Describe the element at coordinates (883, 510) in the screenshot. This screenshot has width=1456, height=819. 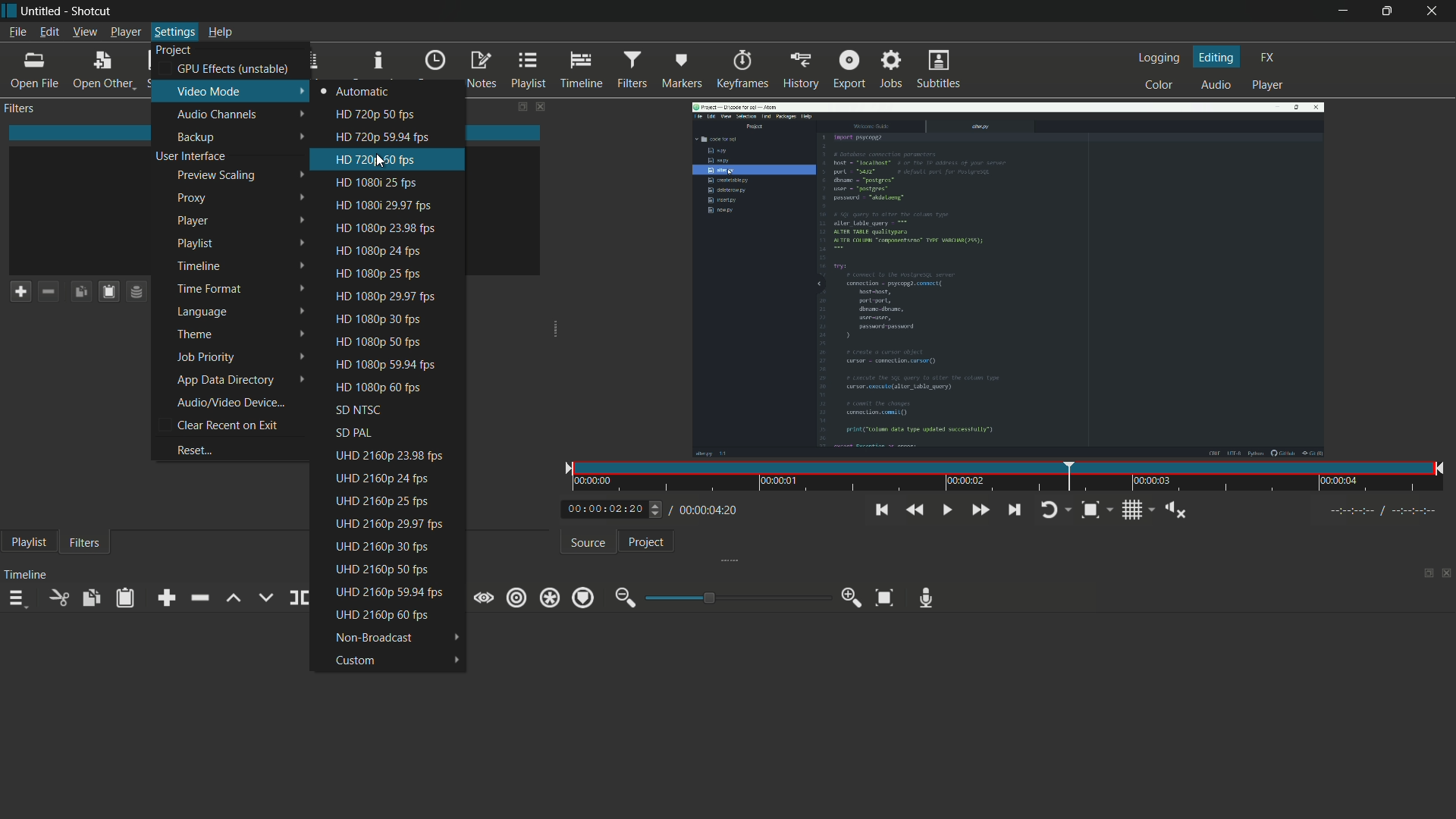
I see `skip to the previous point` at that location.